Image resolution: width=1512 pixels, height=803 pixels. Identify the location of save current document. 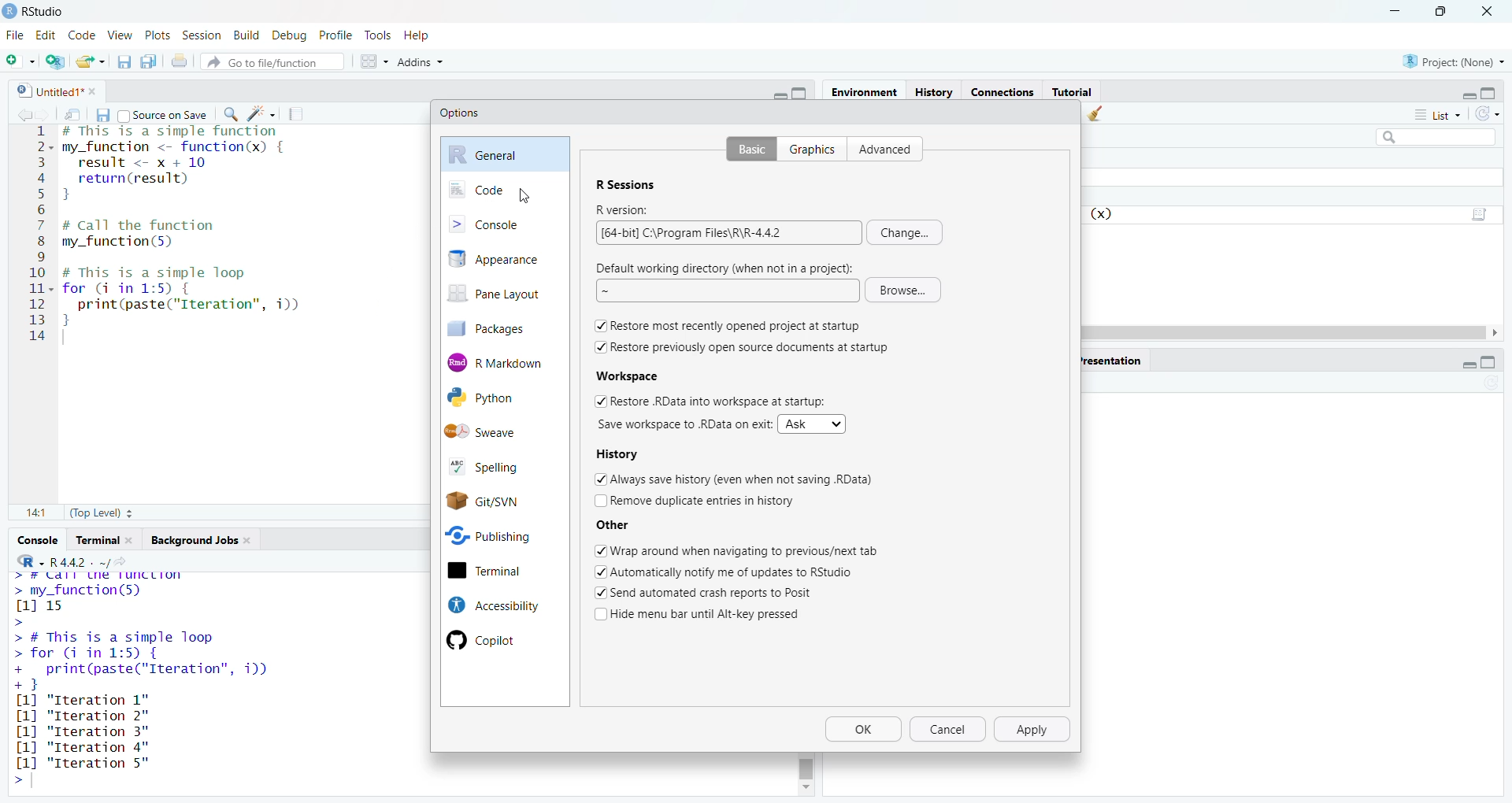
(102, 113).